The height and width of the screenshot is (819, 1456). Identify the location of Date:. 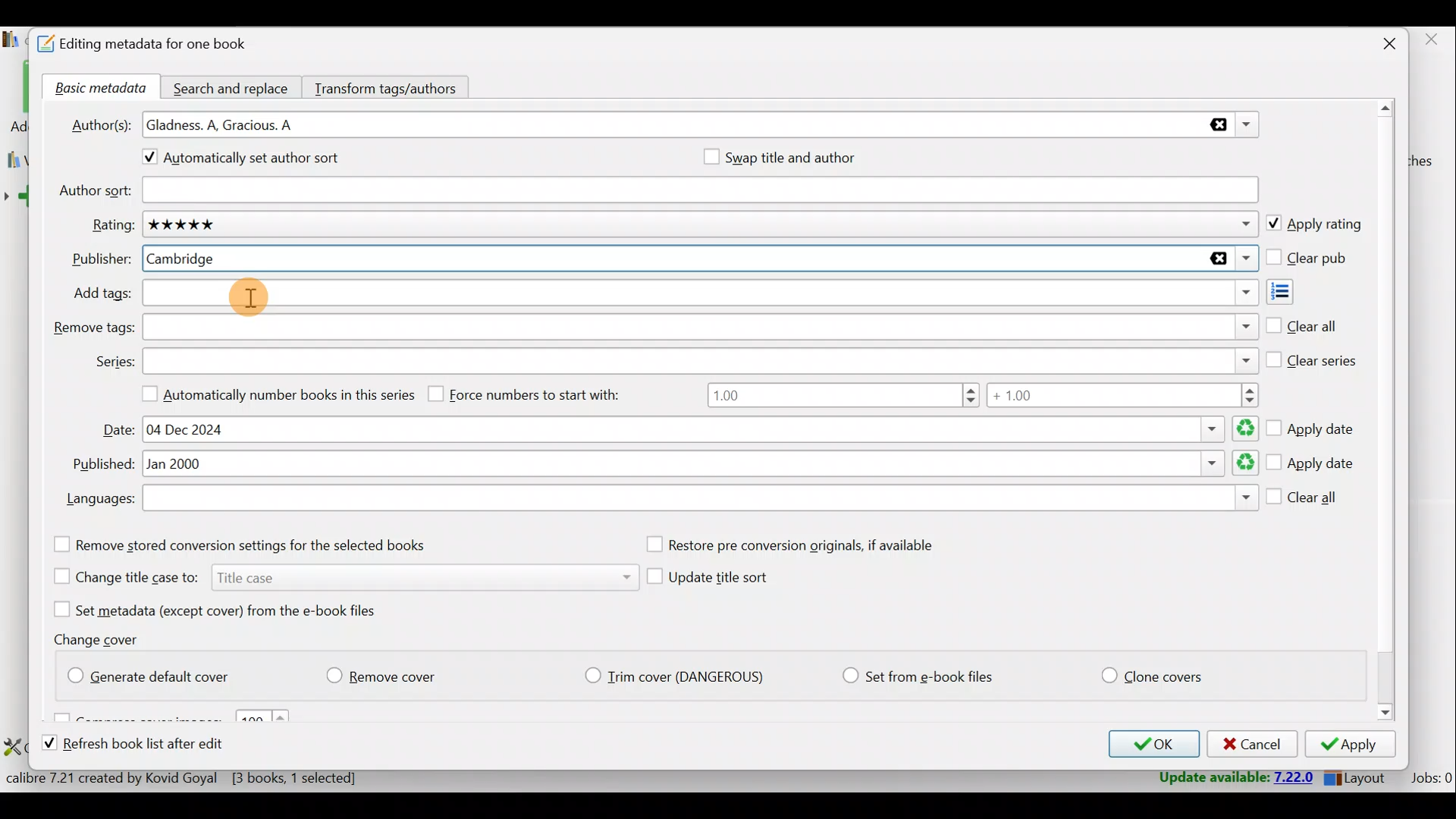
(119, 430).